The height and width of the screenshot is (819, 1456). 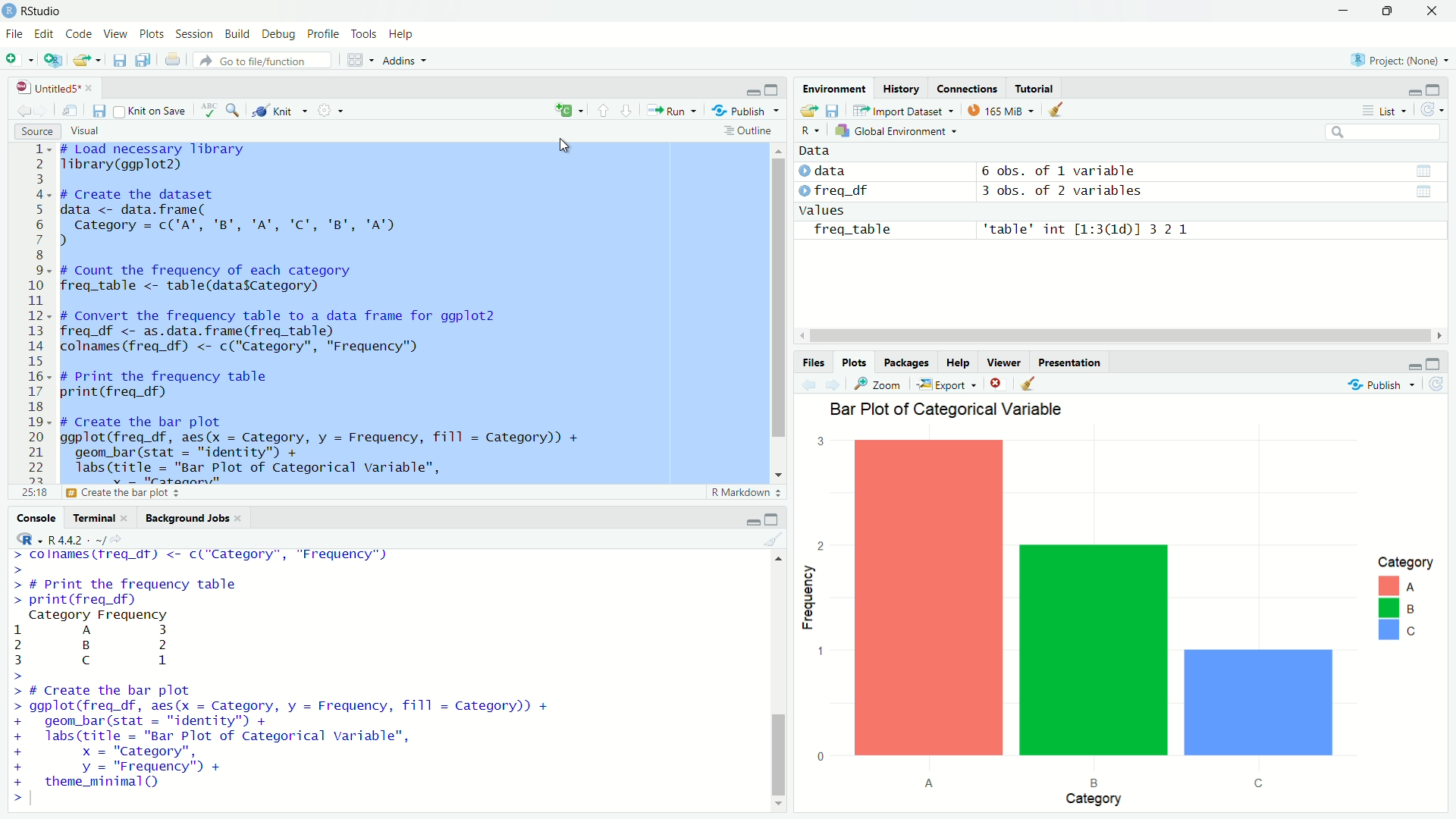 I want to click on previous section, so click(x=603, y=114).